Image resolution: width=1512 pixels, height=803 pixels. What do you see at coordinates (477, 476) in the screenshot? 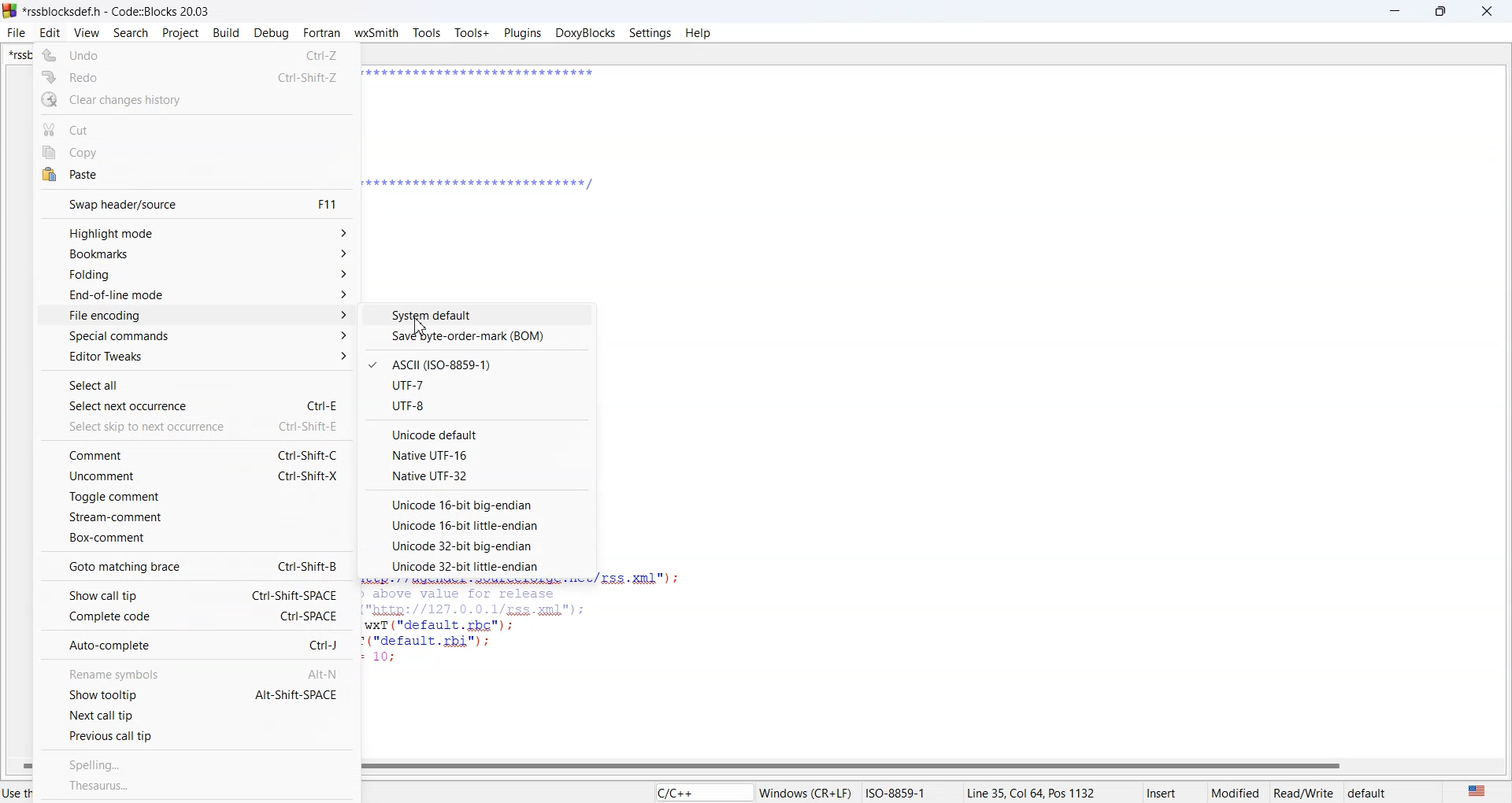
I see `Native UTF-32` at bounding box center [477, 476].